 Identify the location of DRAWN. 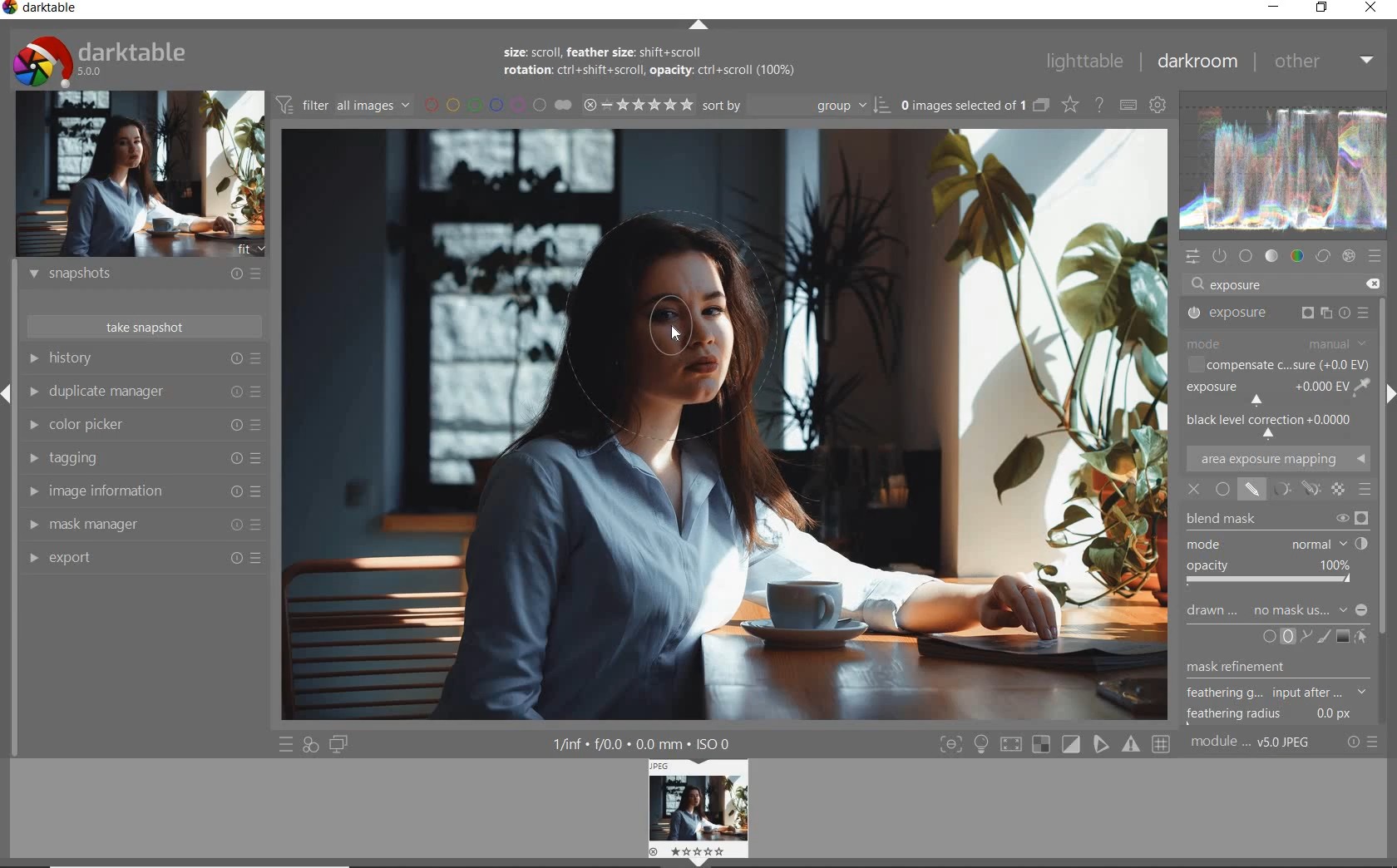
(1277, 612).